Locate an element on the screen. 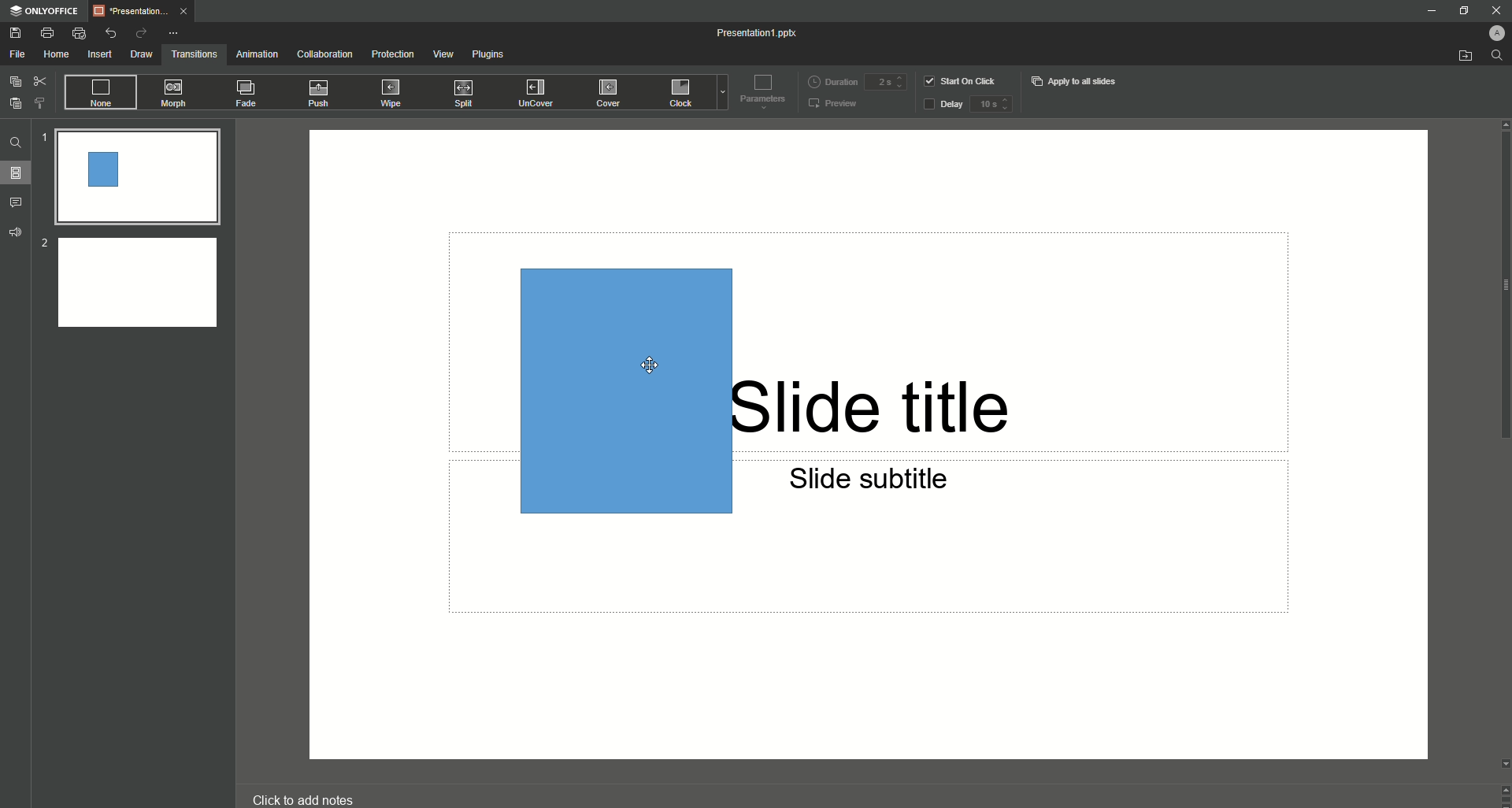  Parameters is located at coordinates (761, 95).